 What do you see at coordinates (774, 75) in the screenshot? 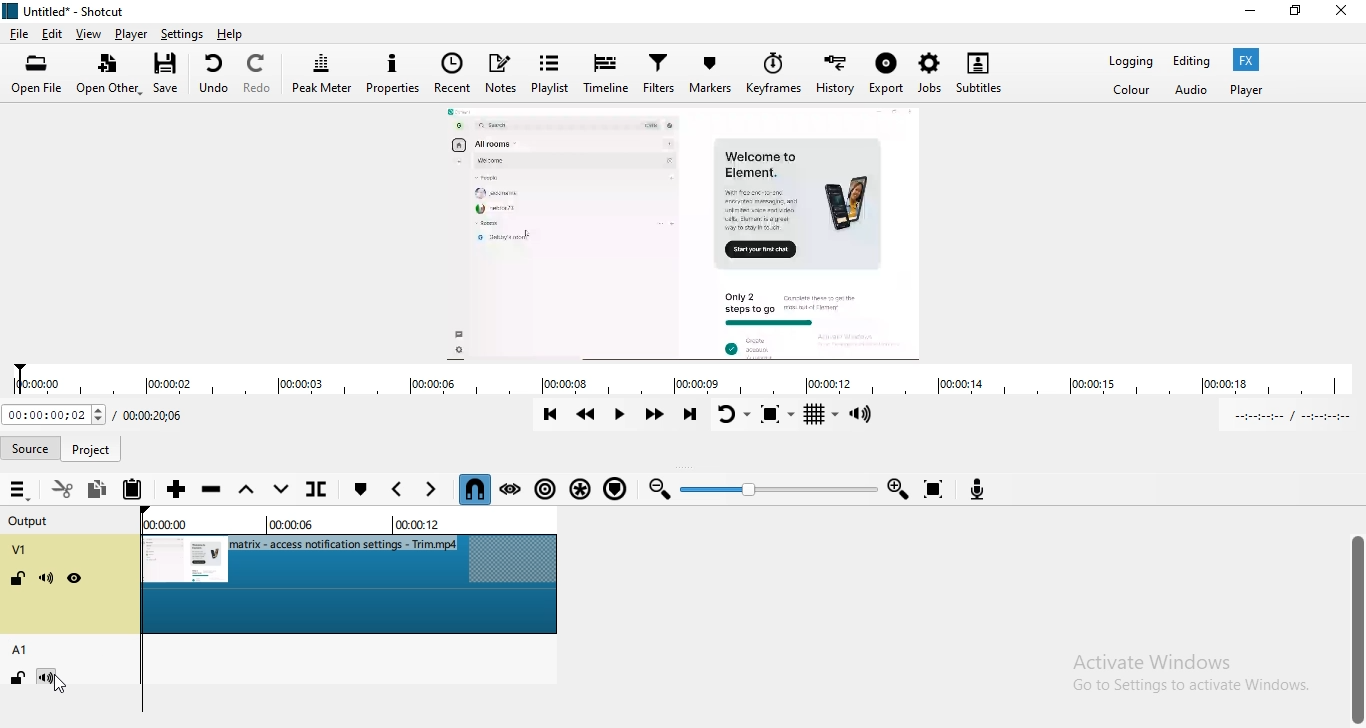
I see `Keyframes` at bounding box center [774, 75].